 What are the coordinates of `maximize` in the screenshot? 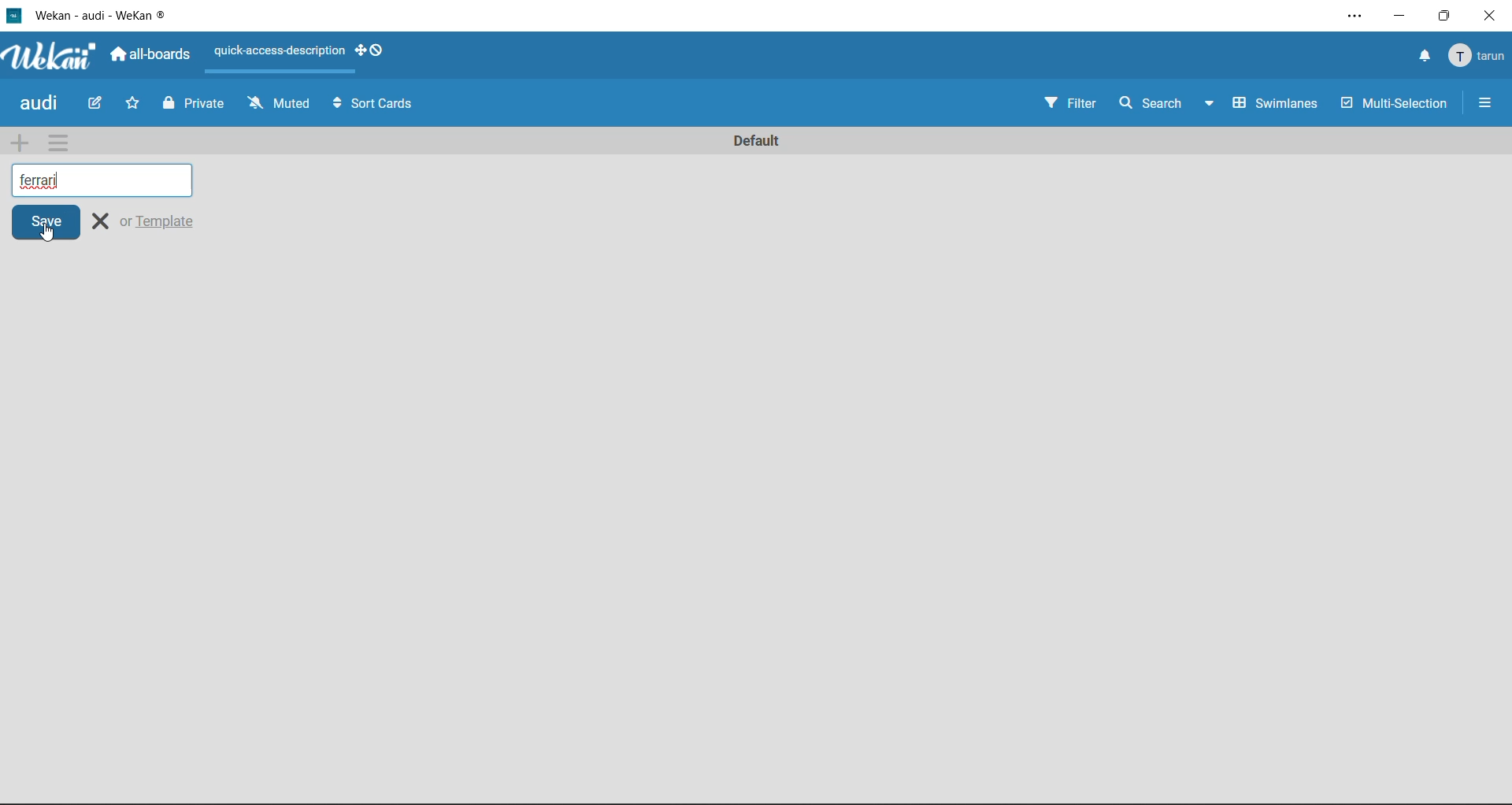 It's located at (1446, 16).